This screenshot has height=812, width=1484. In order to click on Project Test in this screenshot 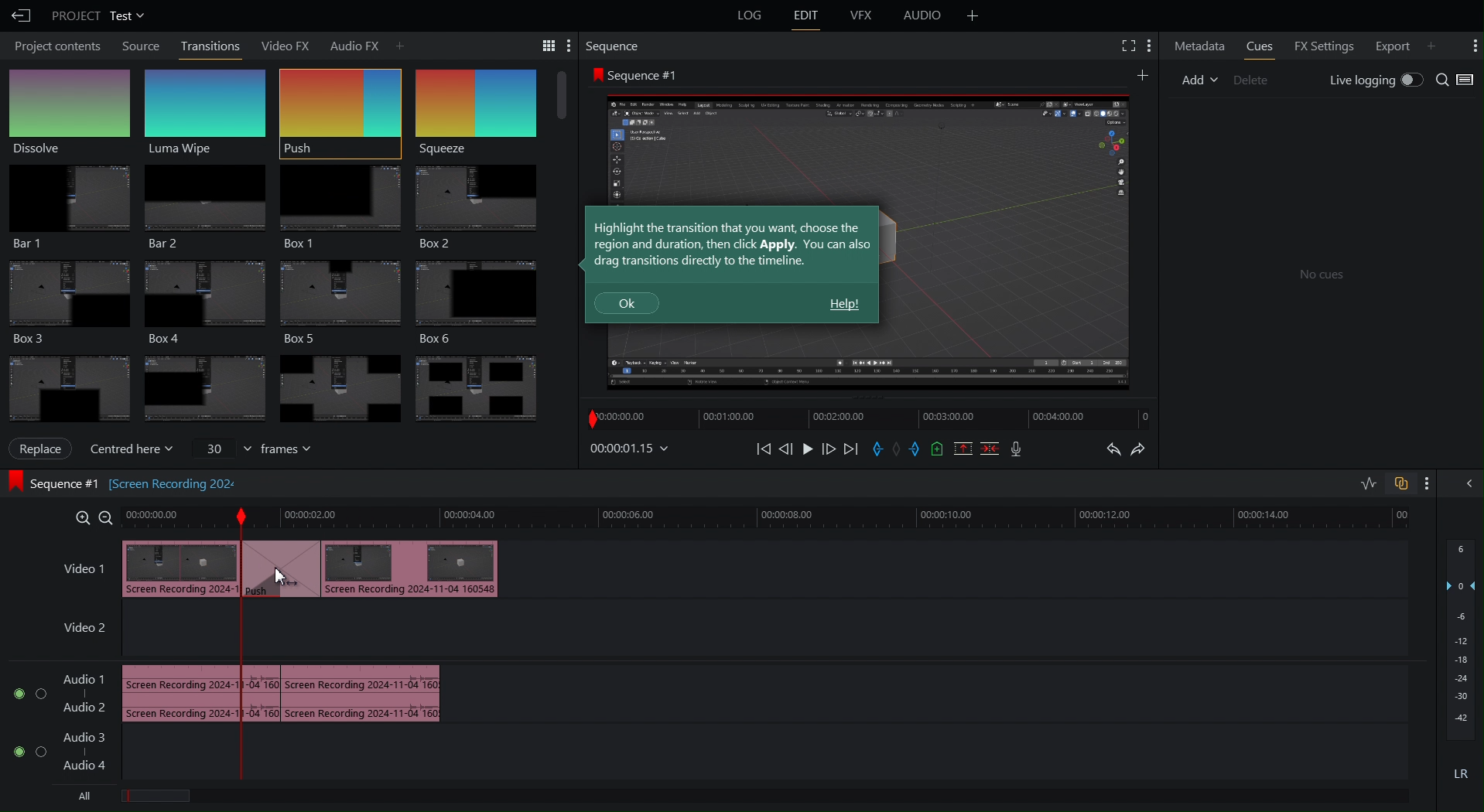, I will do `click(97, 15)`.